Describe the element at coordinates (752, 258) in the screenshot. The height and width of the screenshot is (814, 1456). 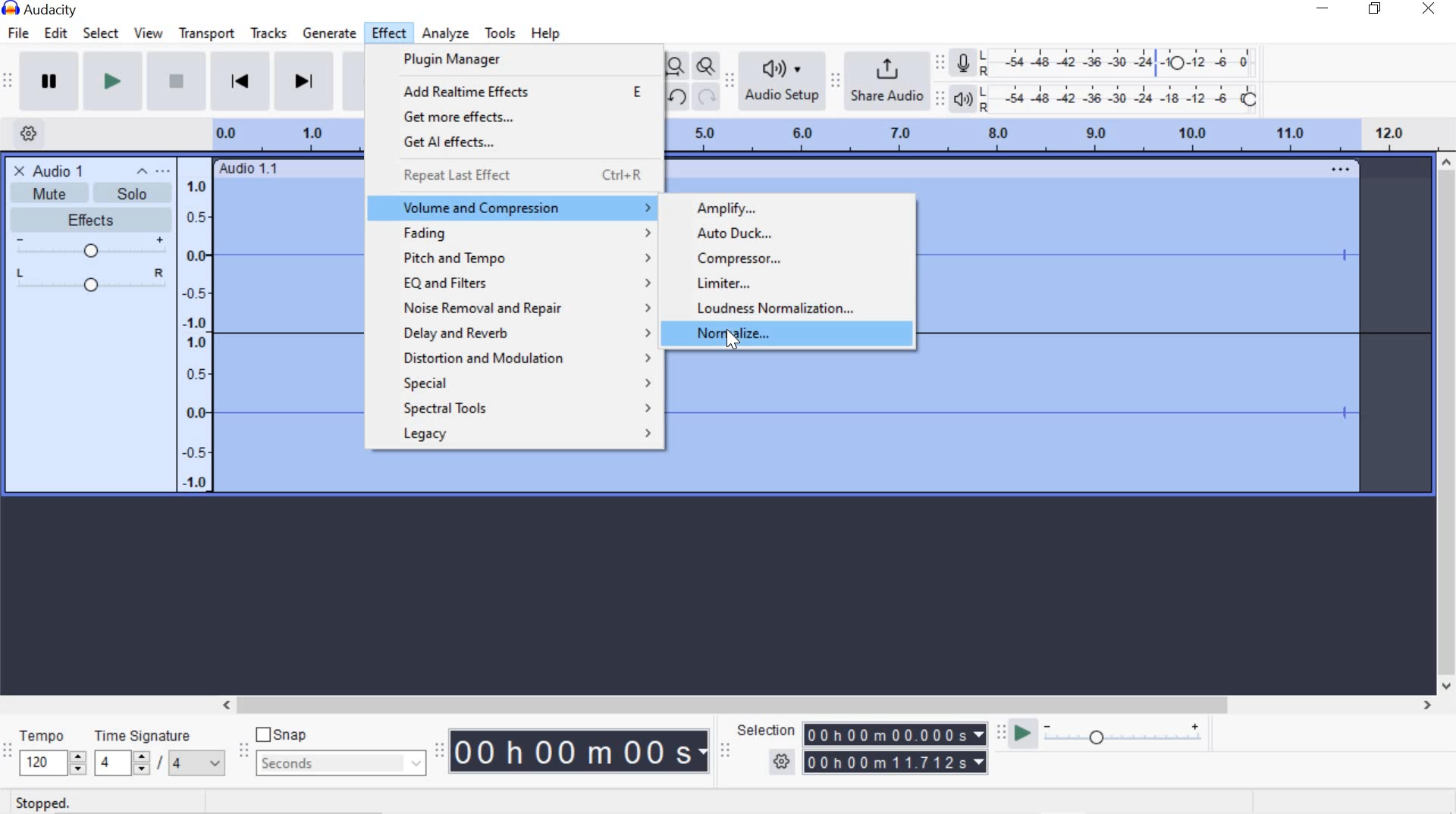
I see `Compressor` at that location.